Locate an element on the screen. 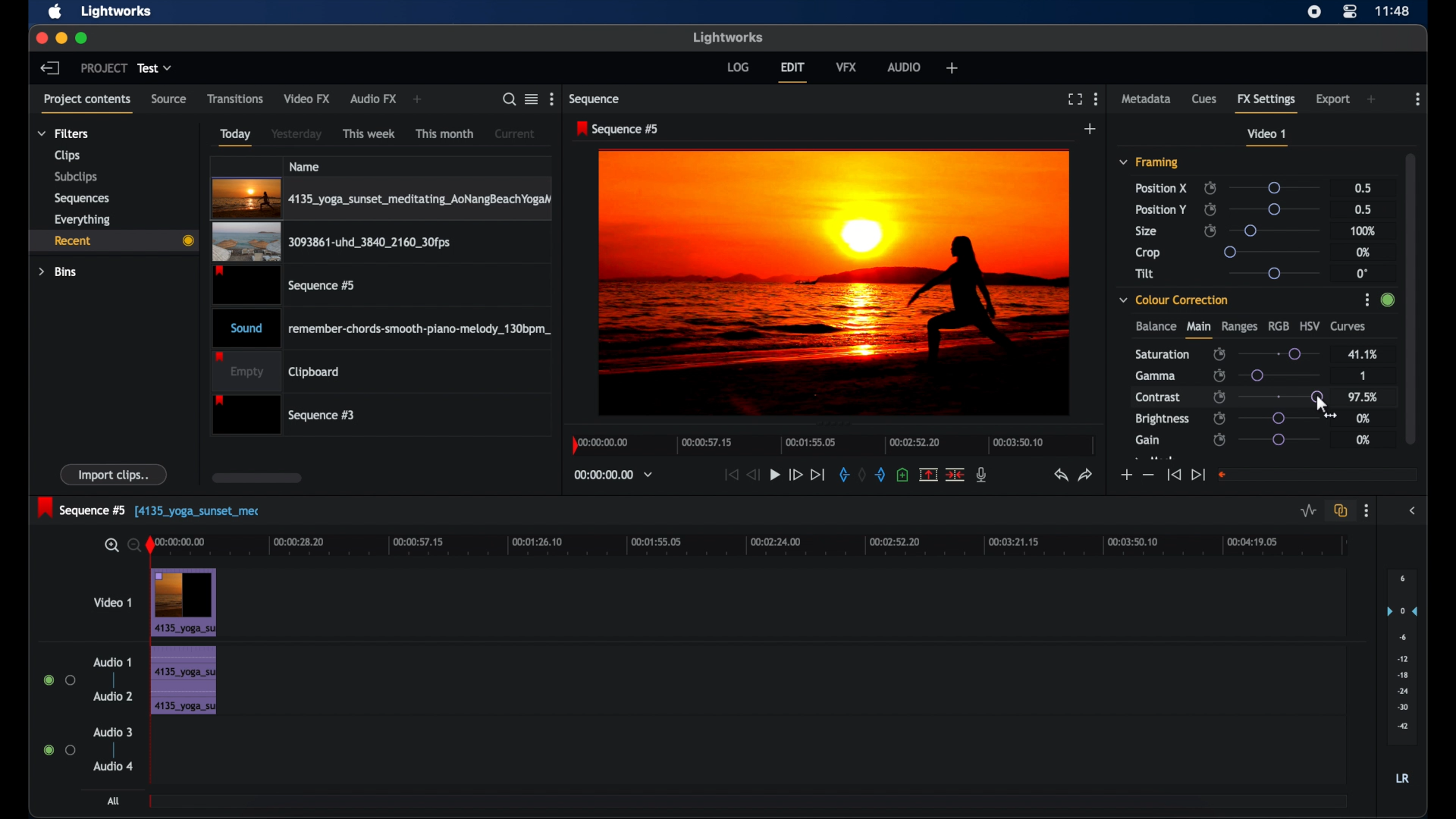 The width and height of the screenshot is (1456, 819). position is located at coordinates (1161, 209).